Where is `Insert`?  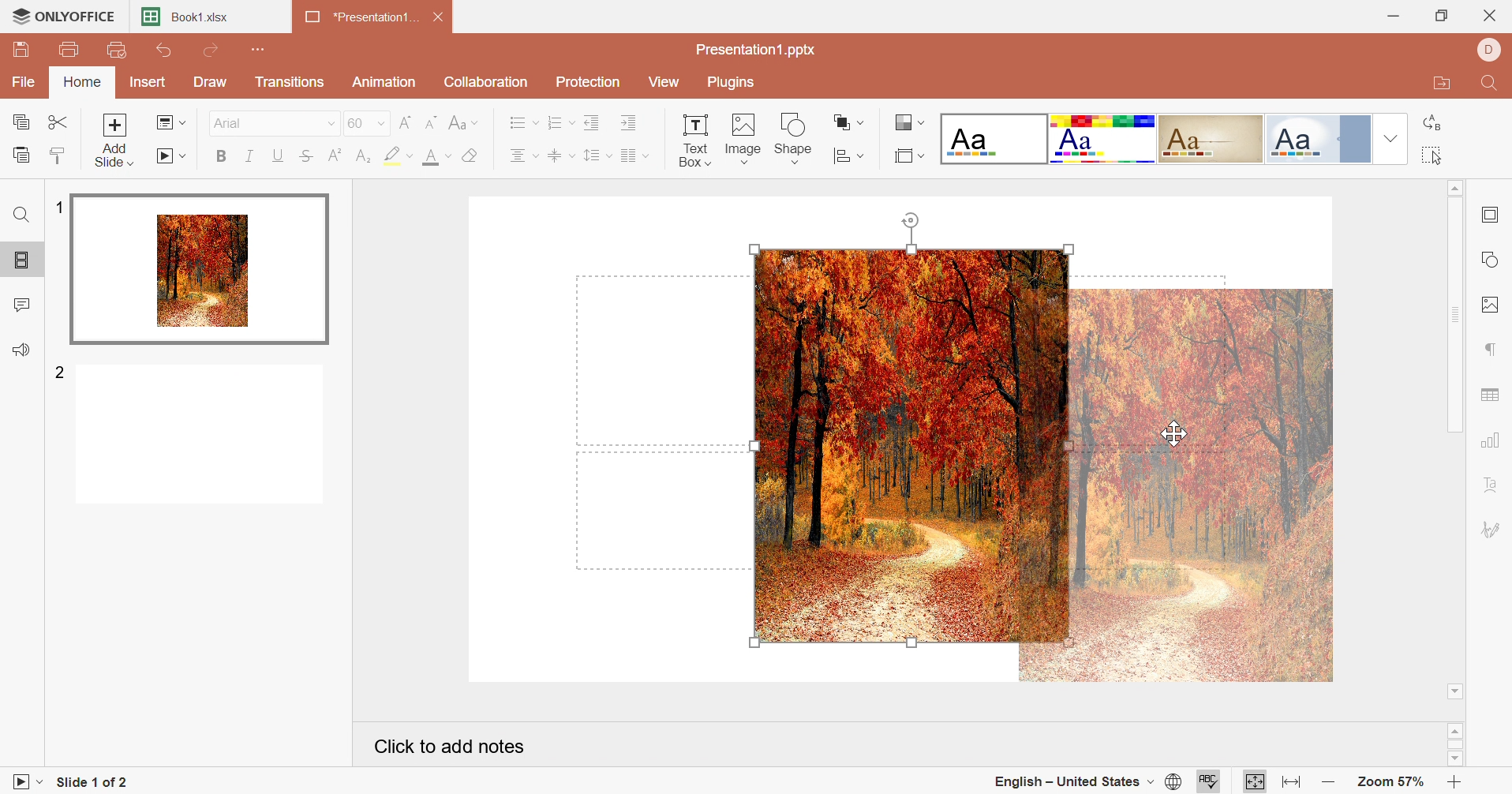
Insert is located at coordinates (147, 84).